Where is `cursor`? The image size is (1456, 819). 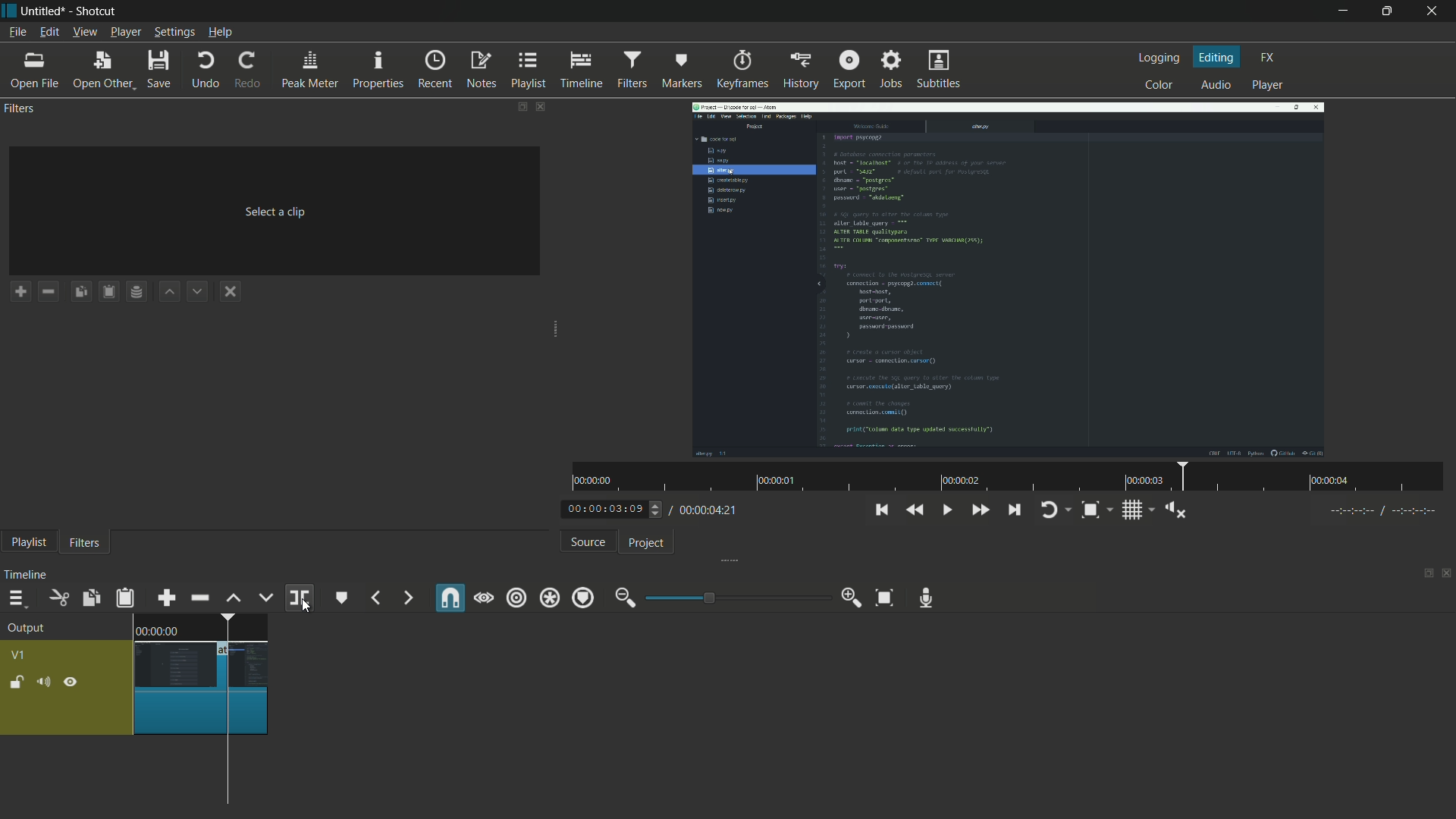
cursor is located at coordinates (229, 756).